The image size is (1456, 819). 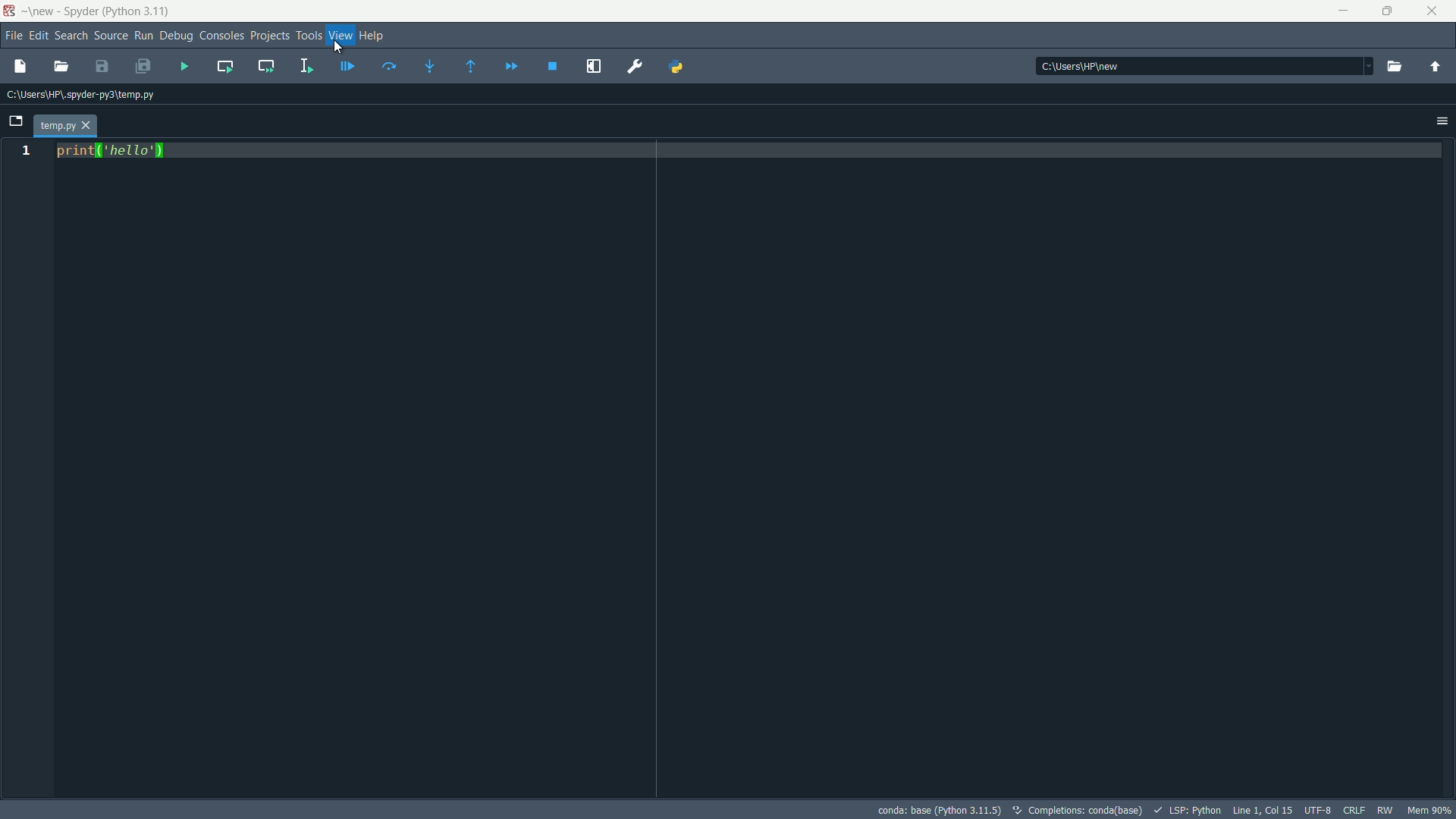 I want to click on close app, so click(x=1436, y=11).